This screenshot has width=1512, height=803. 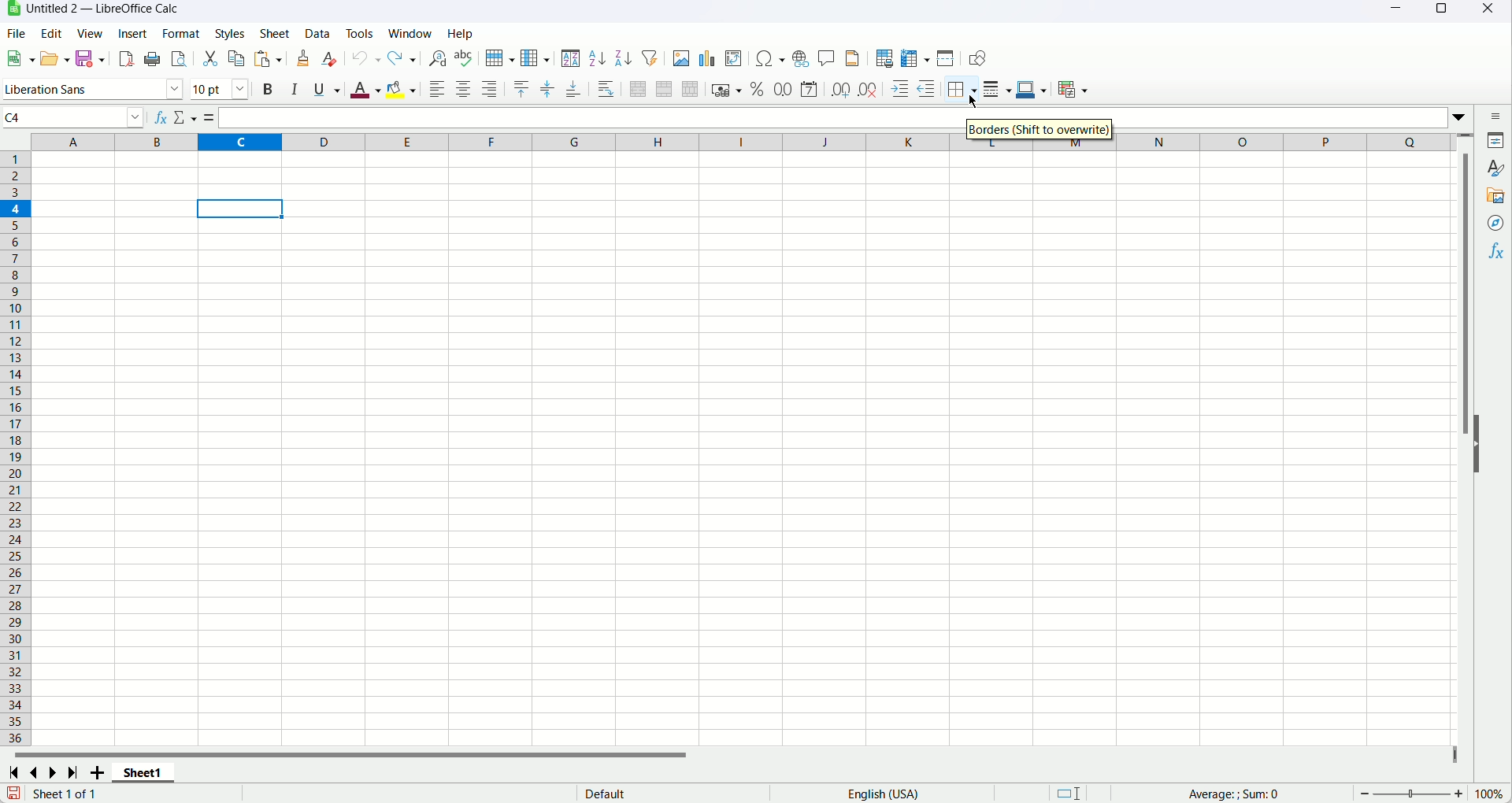 What do you see at coordinates (960, 91) in the screenshot?
I see `Borders` at bounding box center [960, 91].